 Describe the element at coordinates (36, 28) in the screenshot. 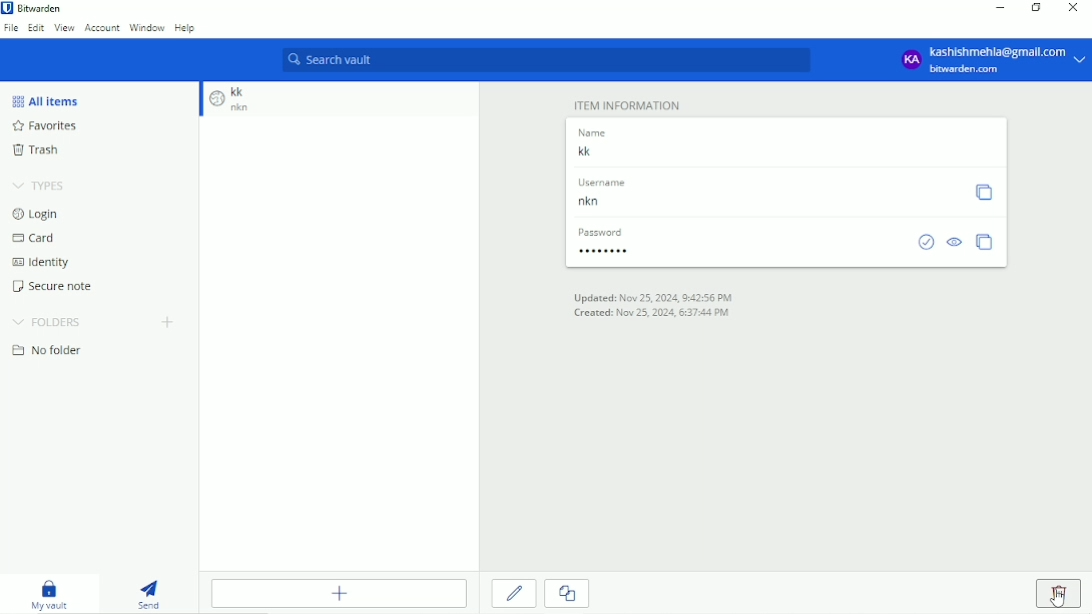

I see `Edit` at that location.